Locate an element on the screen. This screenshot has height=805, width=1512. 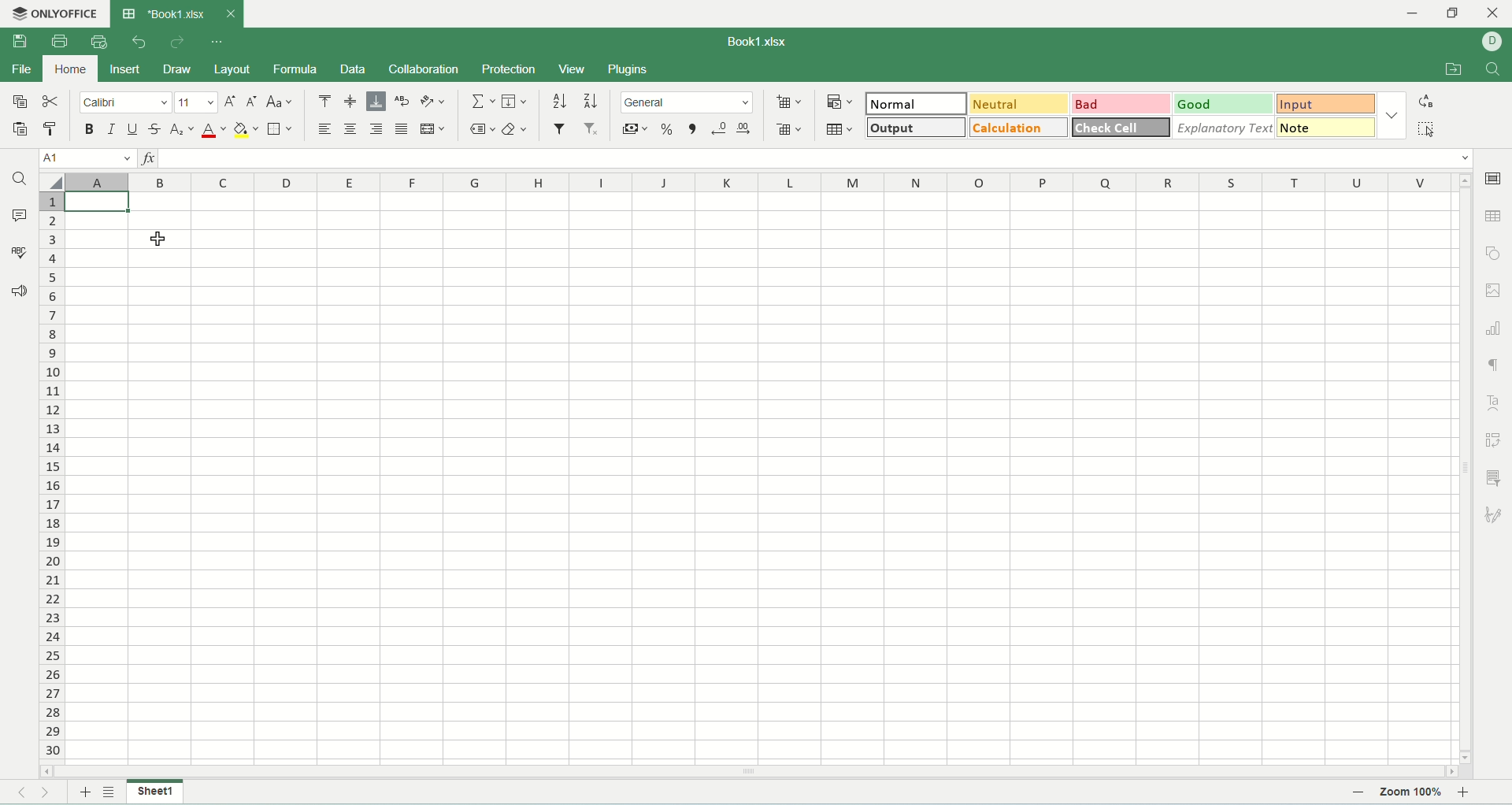
text art  is located at coordinates (1491, 402).